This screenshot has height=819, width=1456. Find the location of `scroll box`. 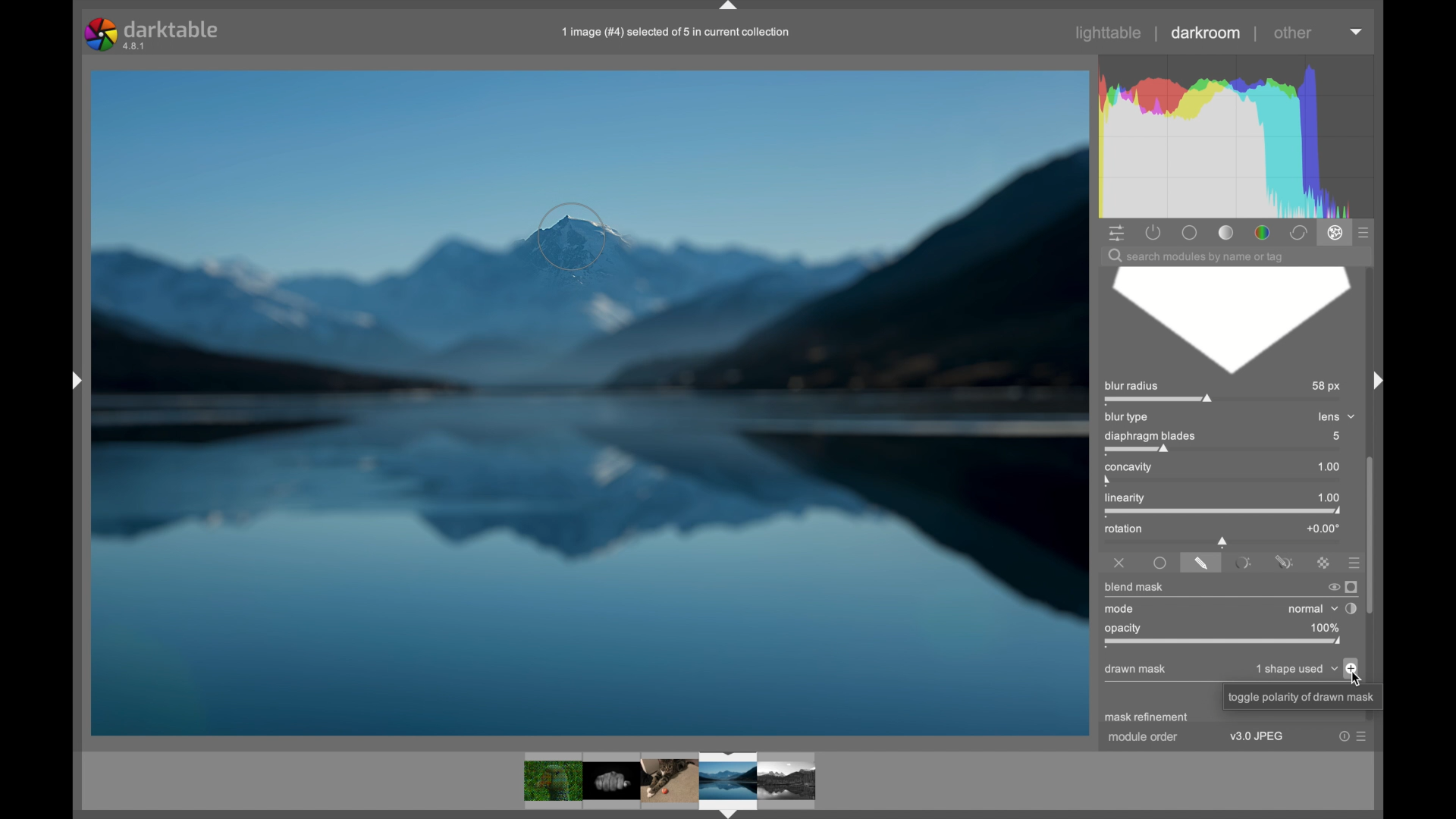

scroll box is located at coordinates (1373, 534).